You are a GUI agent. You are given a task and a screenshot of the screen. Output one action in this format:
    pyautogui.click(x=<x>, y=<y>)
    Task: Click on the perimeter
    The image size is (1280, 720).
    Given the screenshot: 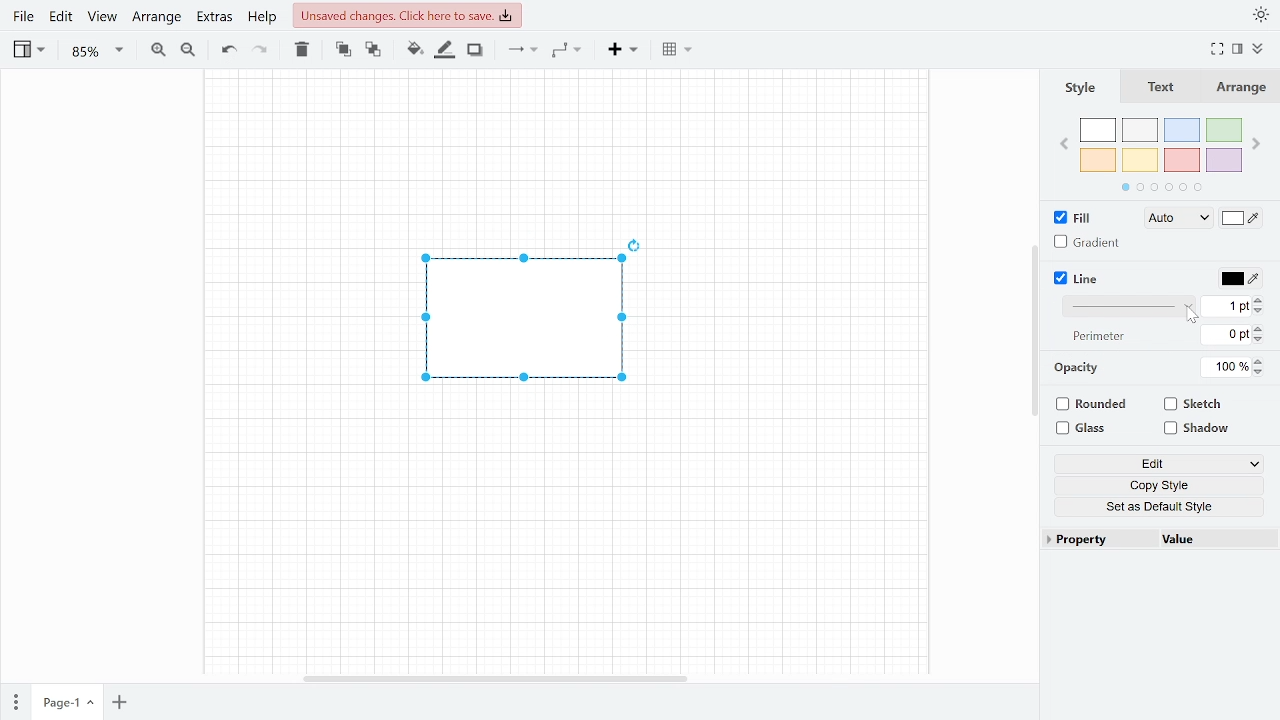 What is the action you would take?
    pyautogui.click(x=1099, y=336)
    